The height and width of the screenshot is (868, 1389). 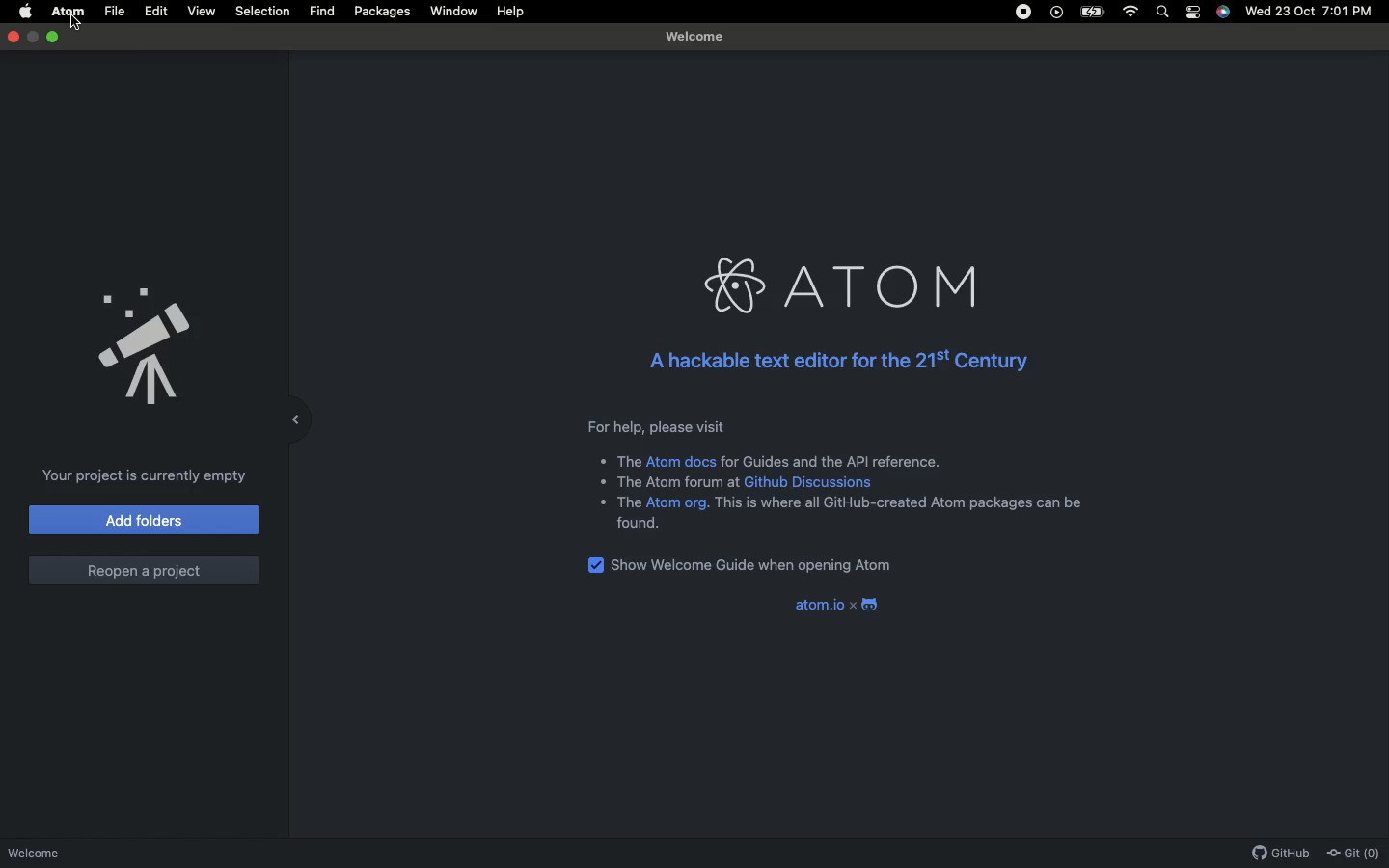 I want to click on Atom, so click(x=67, y=11).